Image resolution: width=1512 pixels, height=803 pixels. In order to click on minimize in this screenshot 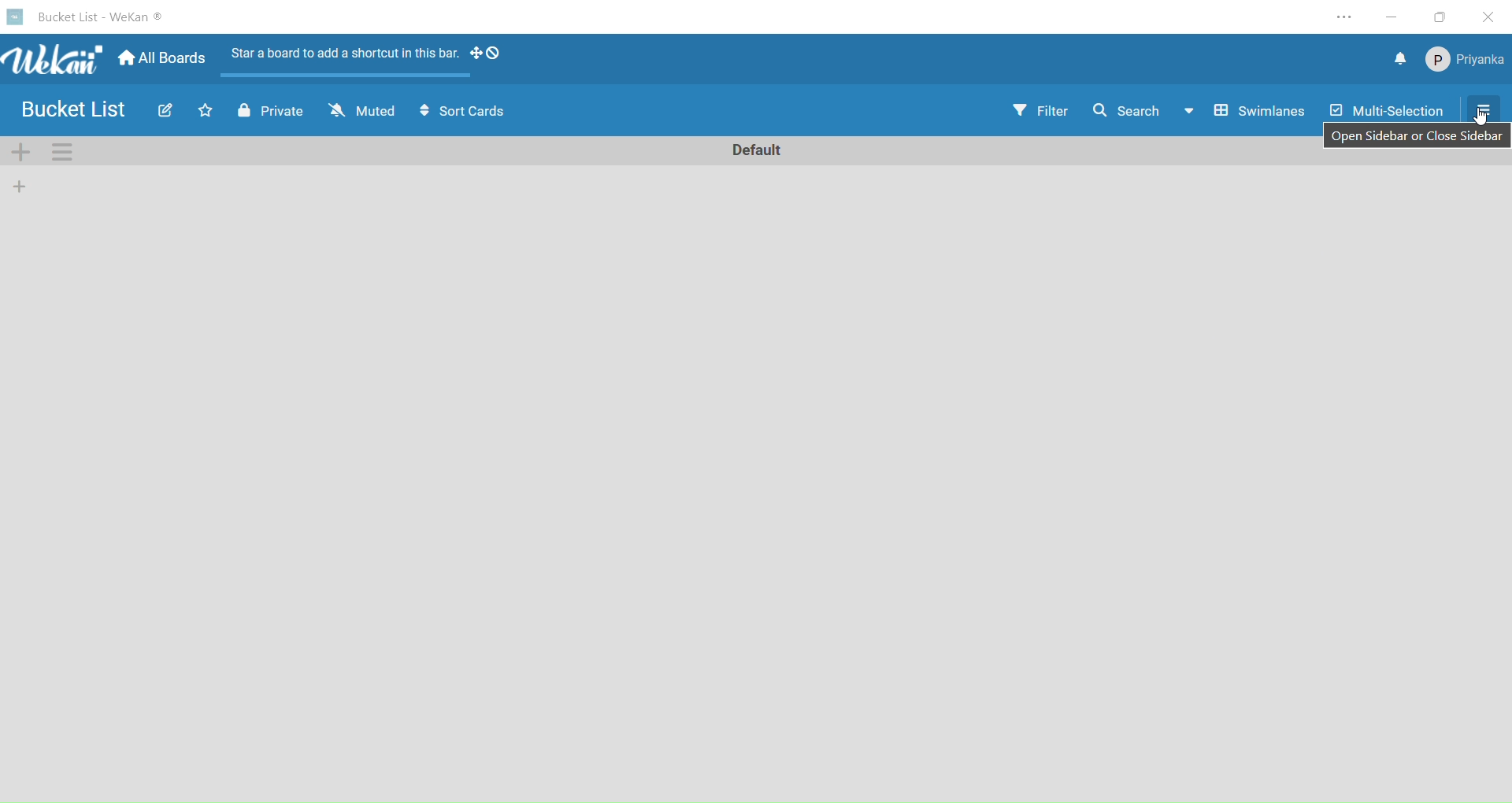, I will do `click(1395, 18)`.